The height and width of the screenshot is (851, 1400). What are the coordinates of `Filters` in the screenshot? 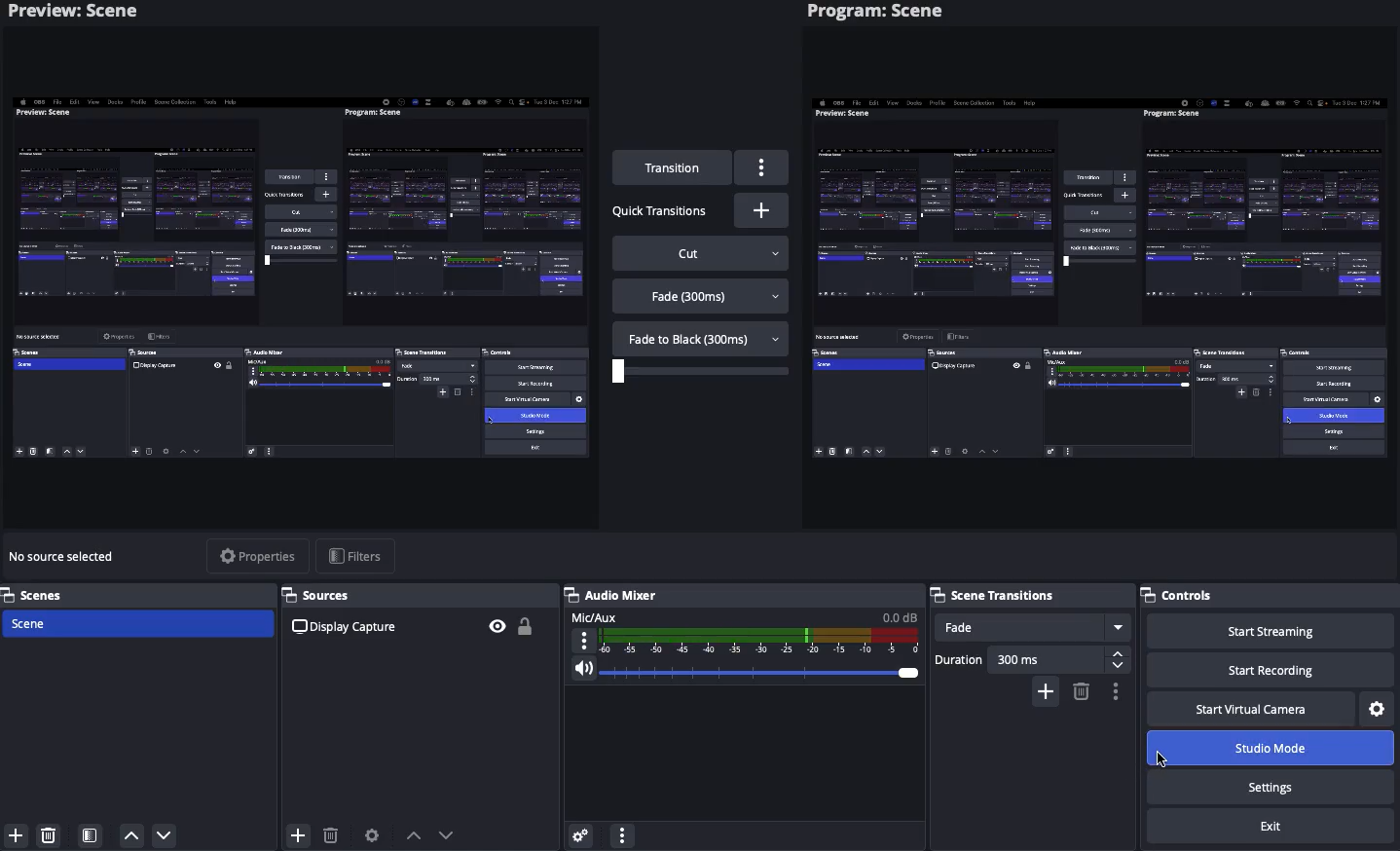 It's located at (358, 555).